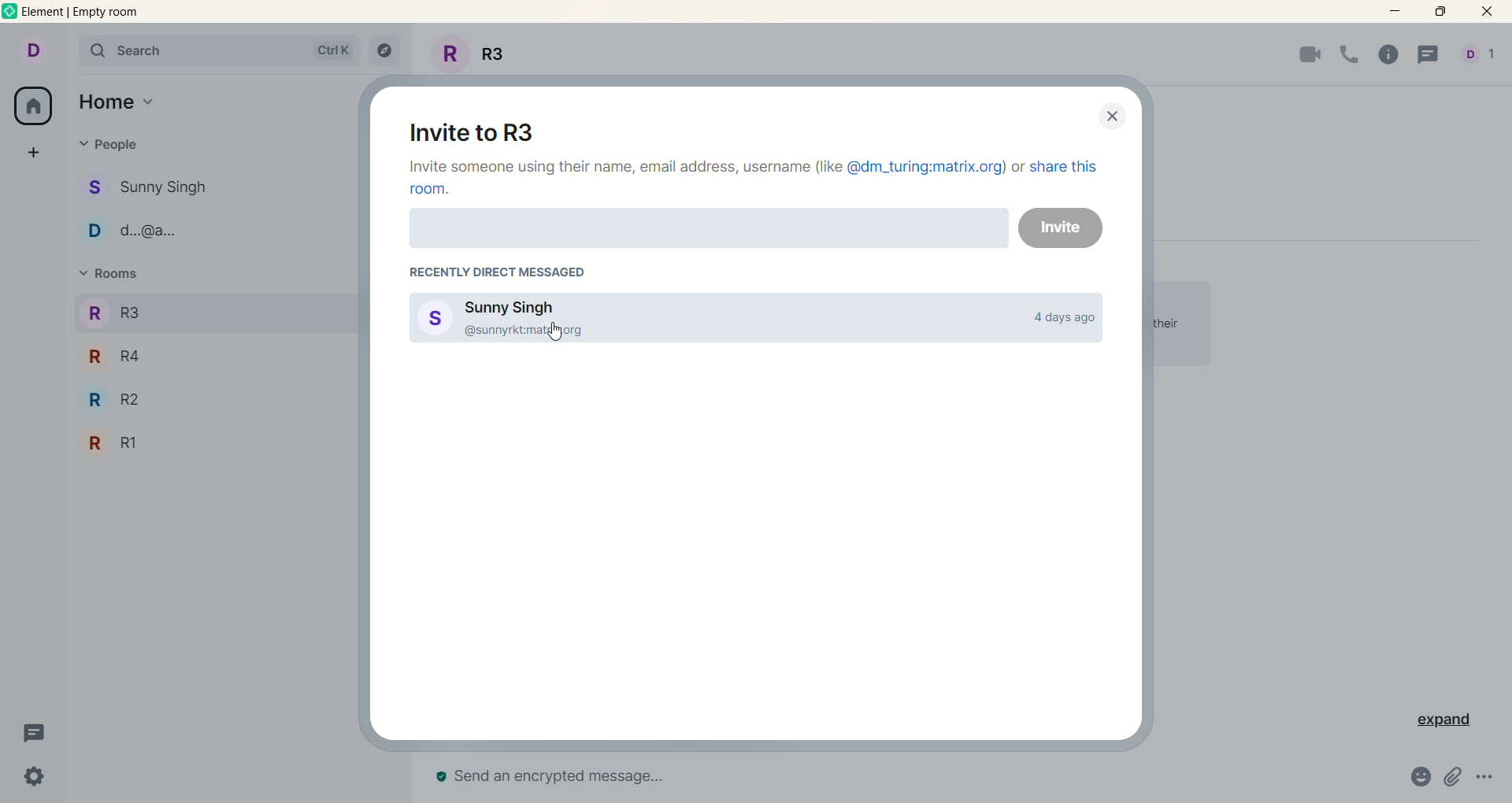 This screenshot has height=803, width=1512. What do you see at coordinates (554, 329) in the screenshot?
I see `pointer cursor` at bounding box center [554, 329].